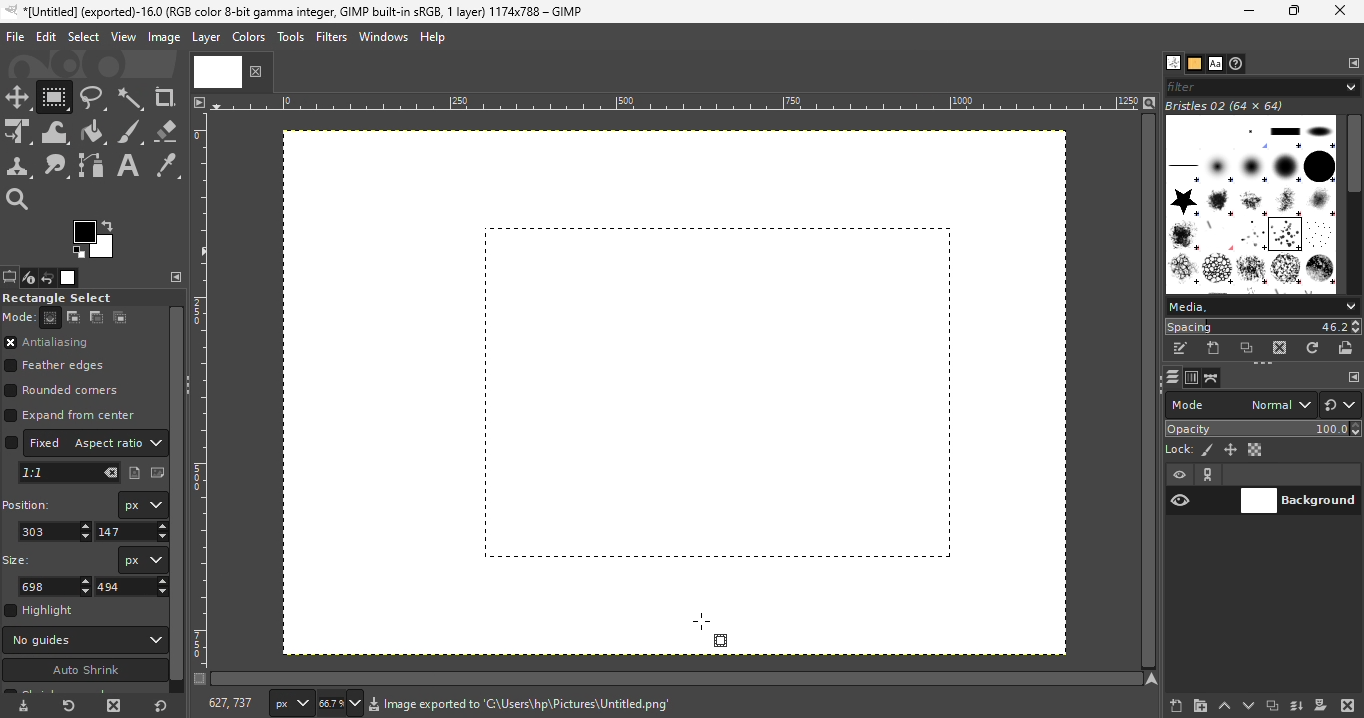 Image resolution: width=1364 pixels, height=718 pixels. Describe the element at coordinates (1214, 348) in the screenshot. I see `Create a new brush` at that location.